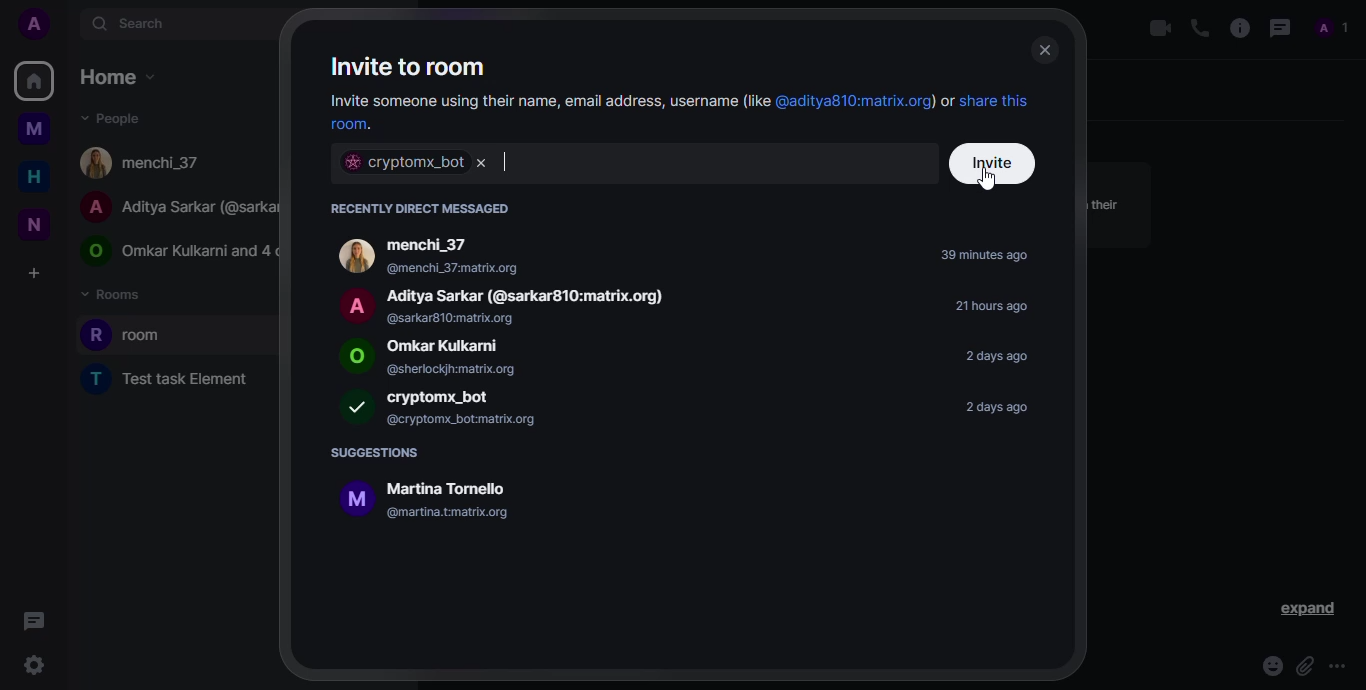  I want to click on room, so click(129, 331).